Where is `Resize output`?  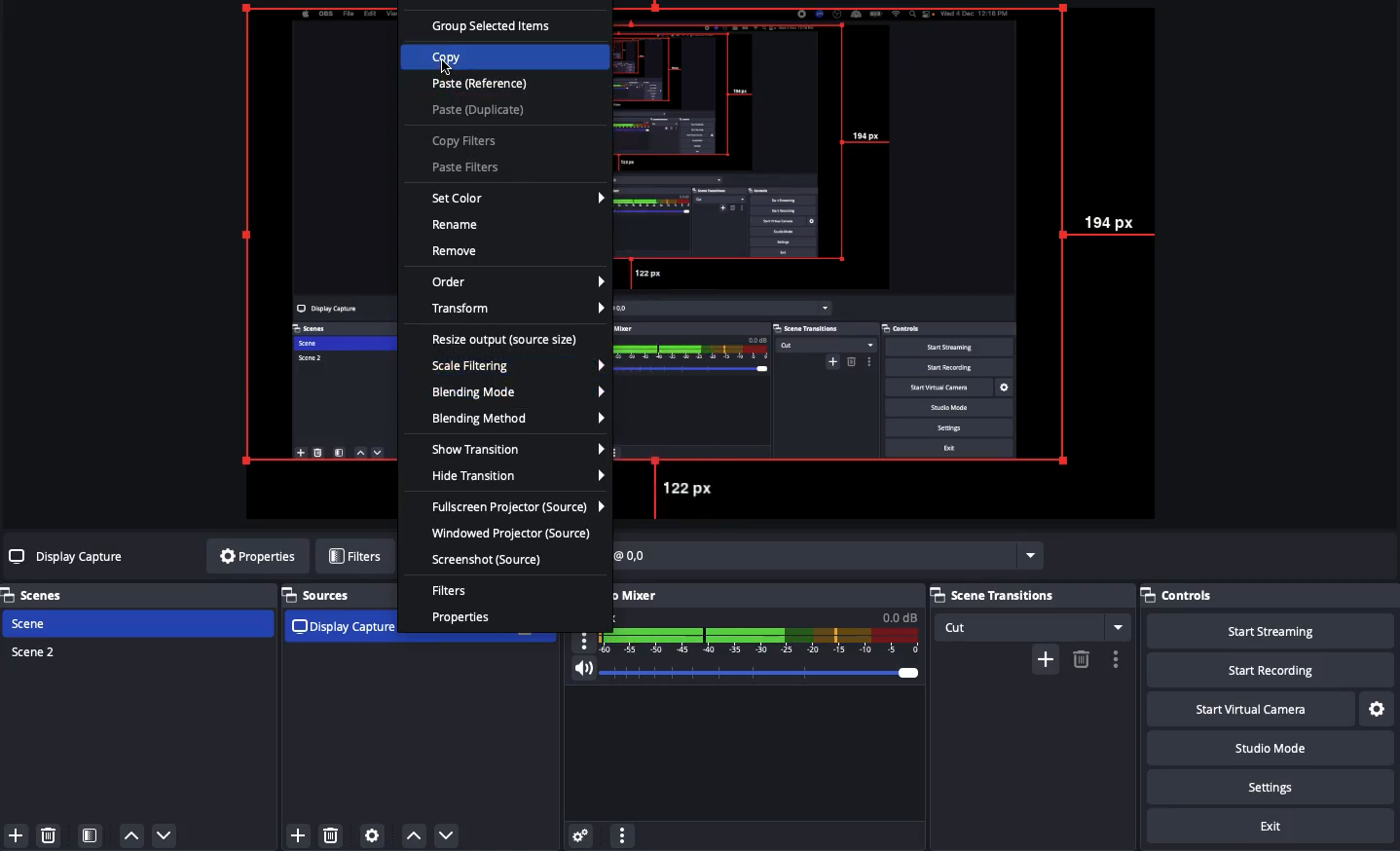
Resize output is located at coordinates (504, 340).